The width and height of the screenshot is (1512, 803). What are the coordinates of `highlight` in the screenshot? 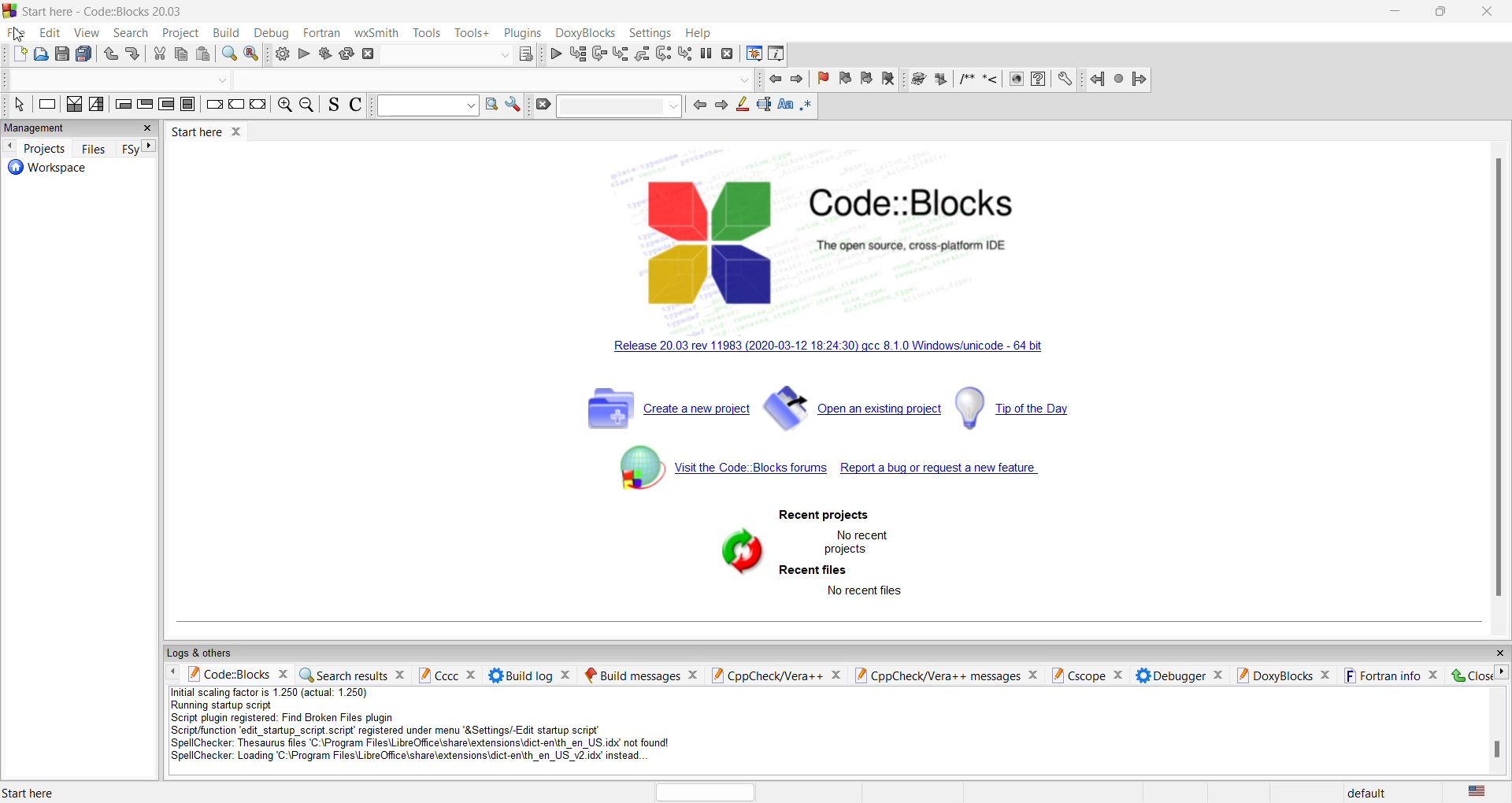 It's located at (739, 105).